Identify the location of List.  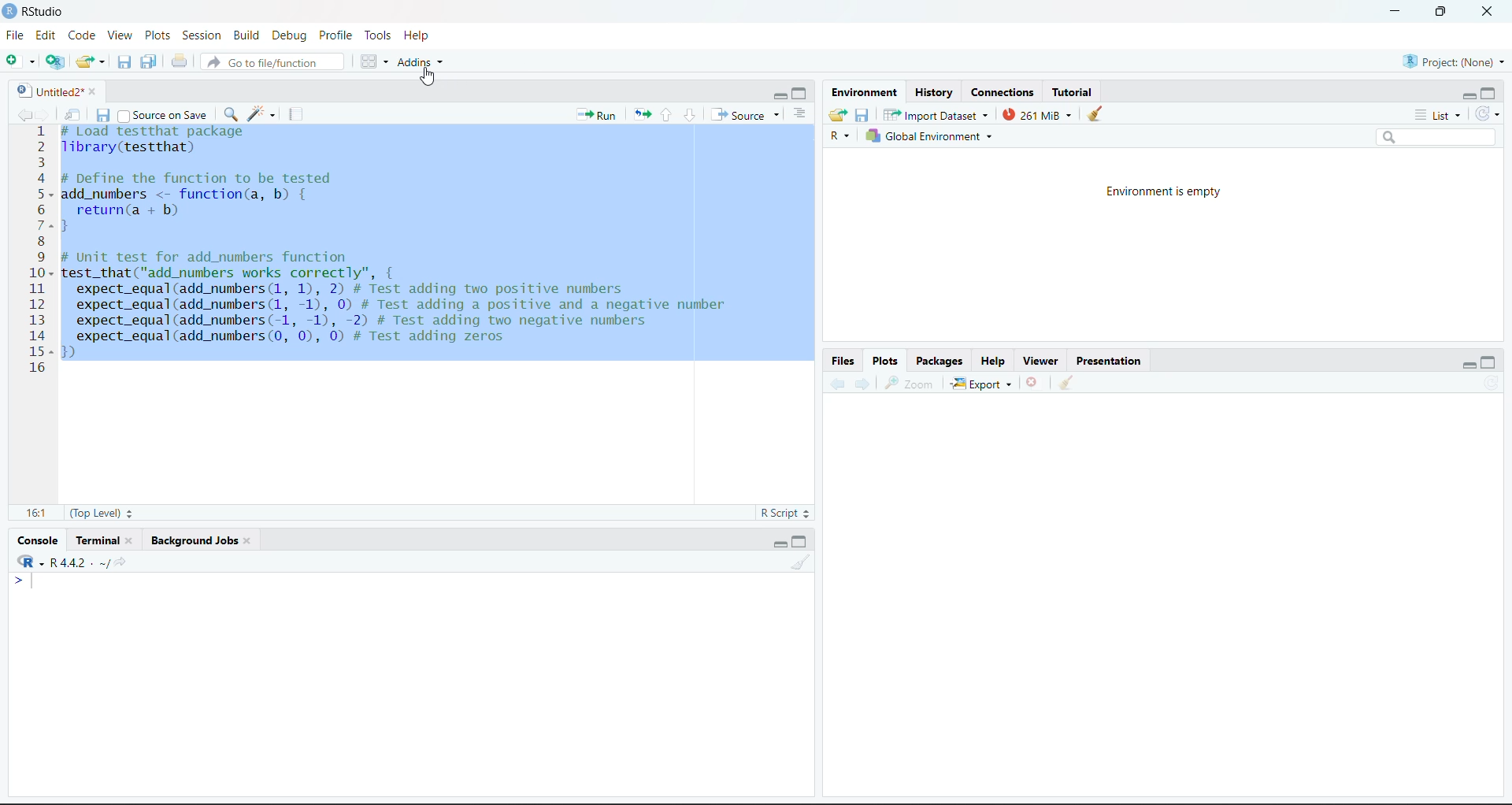
(1438, 114).